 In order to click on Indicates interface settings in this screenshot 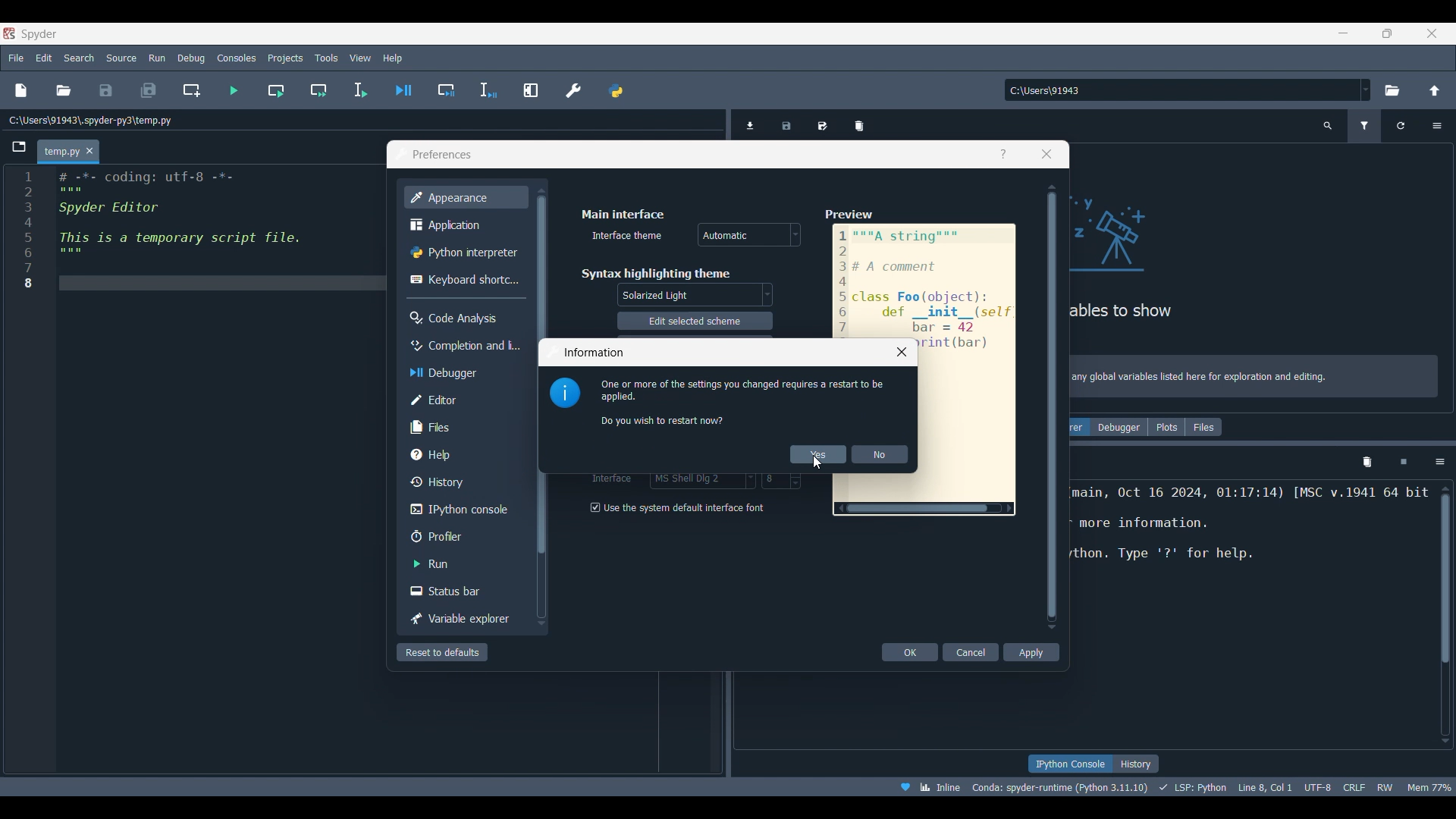, I will do `click(613, 481)`.